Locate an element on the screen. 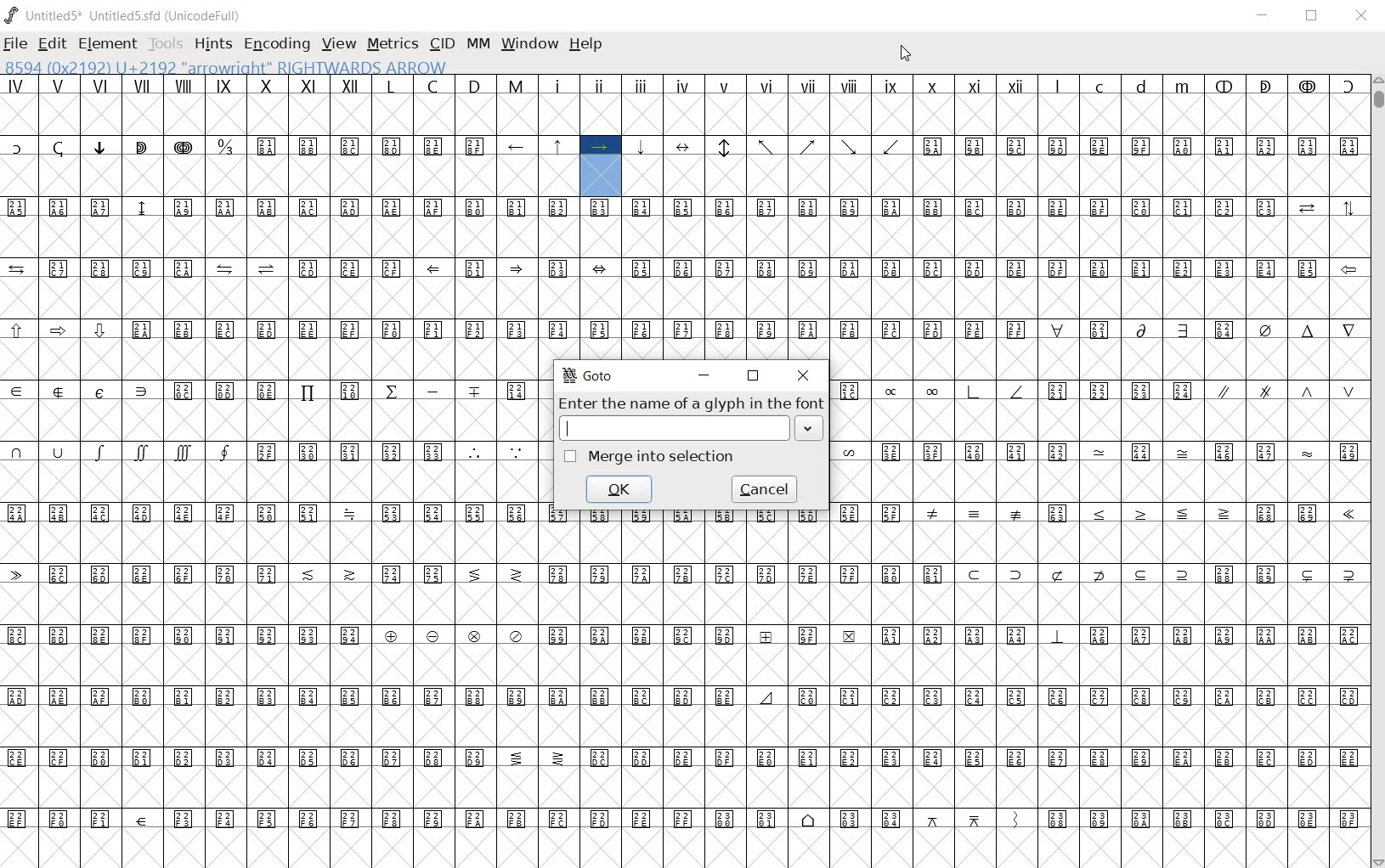 Image resolution: width=1385 pixels, height=868 pixels. close is located at coordinates (803, 377).